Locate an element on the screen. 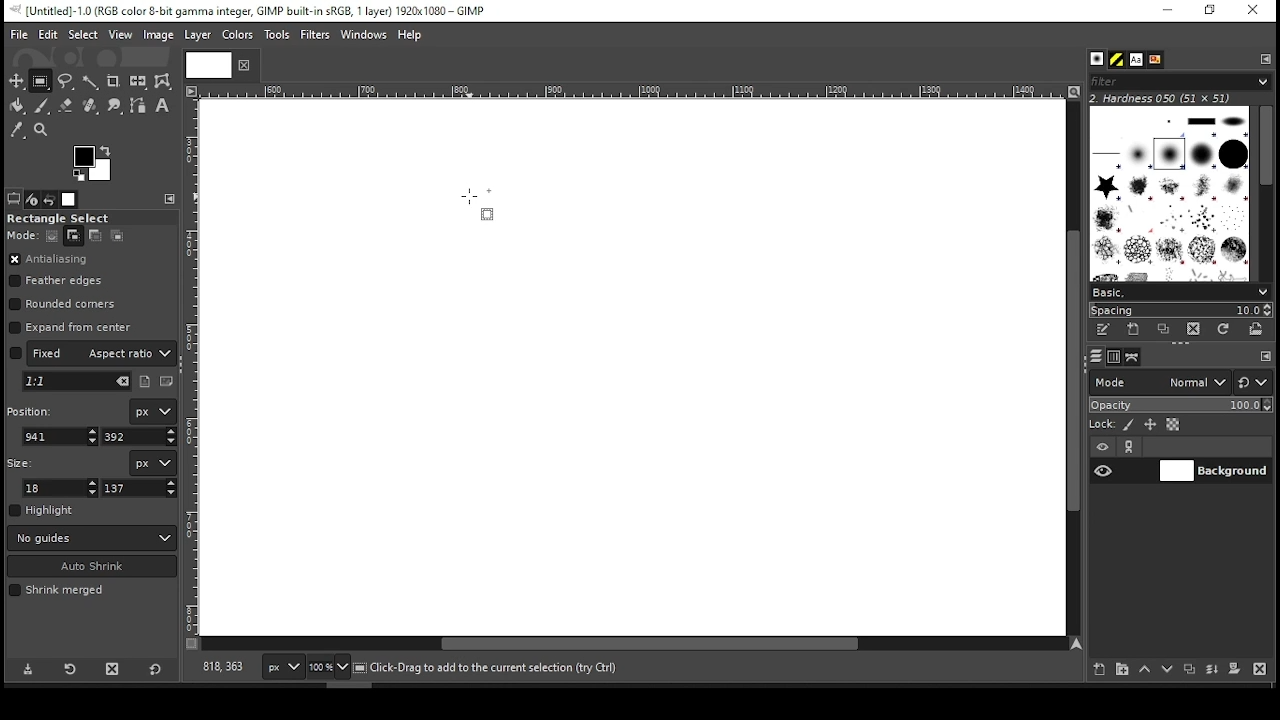 The image size is (1280, 720). add to current selection is located at coordinates (74, 236).